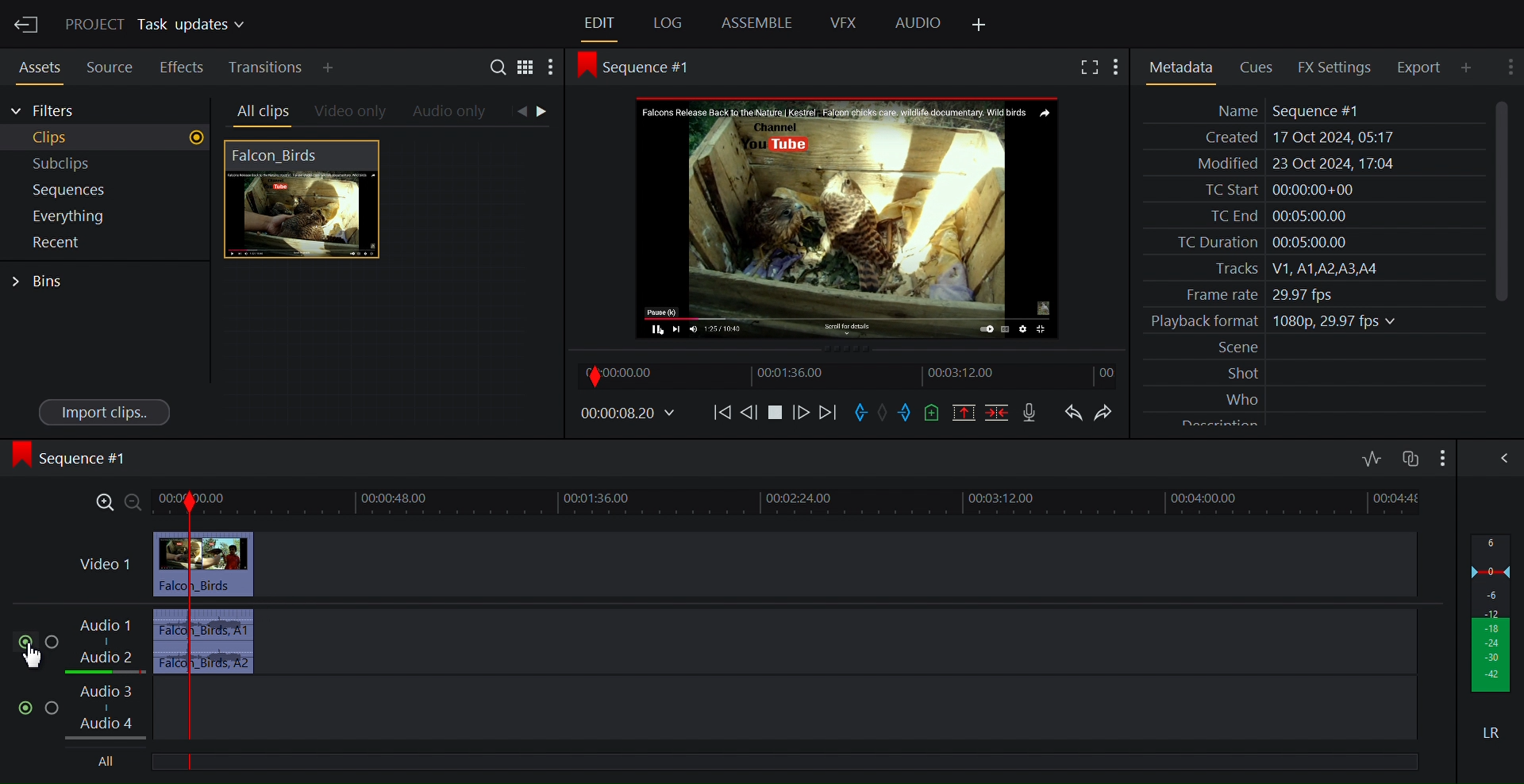  I want to click on Solo this track, so click(53, 709).